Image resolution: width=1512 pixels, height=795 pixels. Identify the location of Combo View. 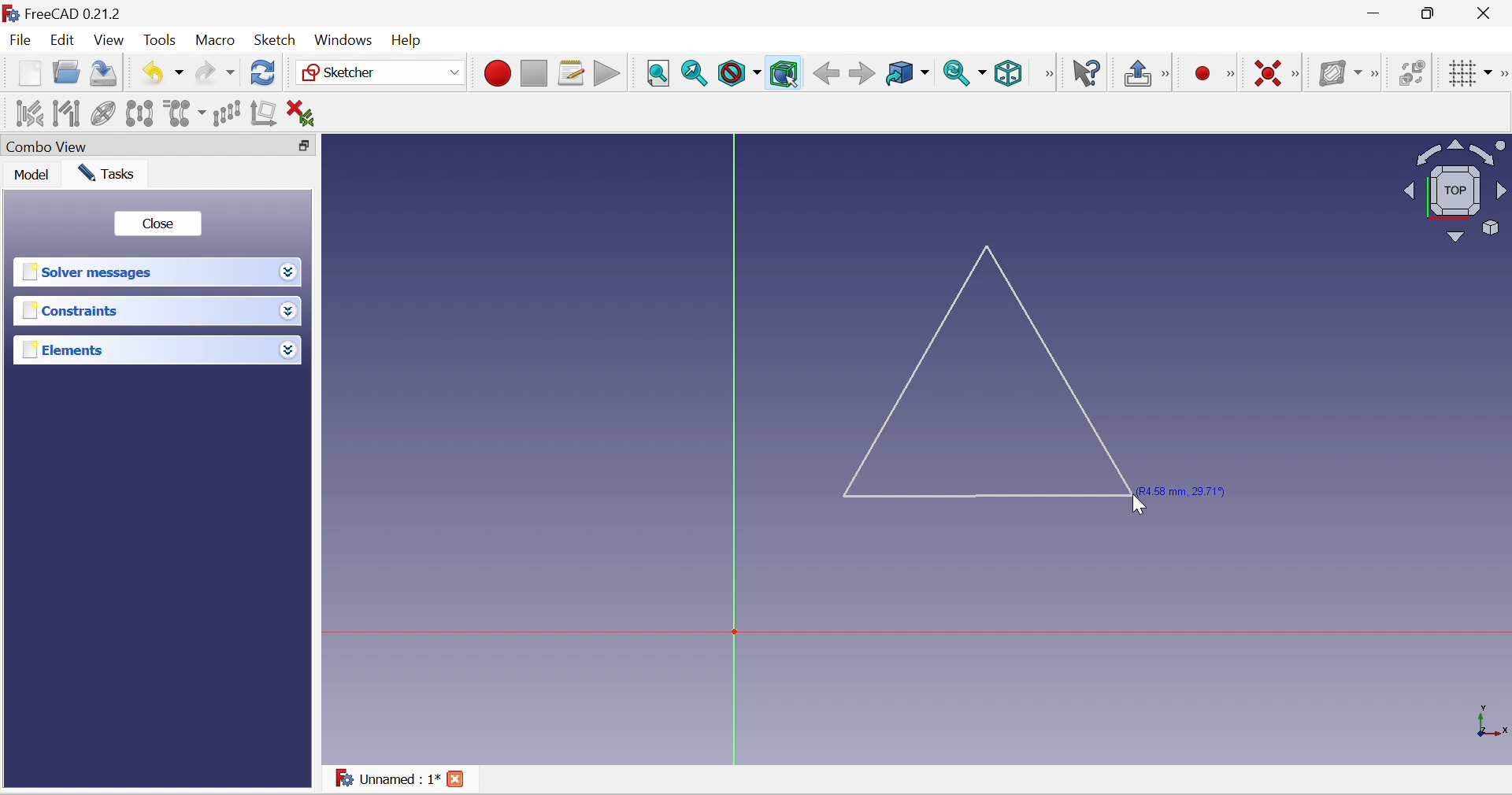
(141, 146).